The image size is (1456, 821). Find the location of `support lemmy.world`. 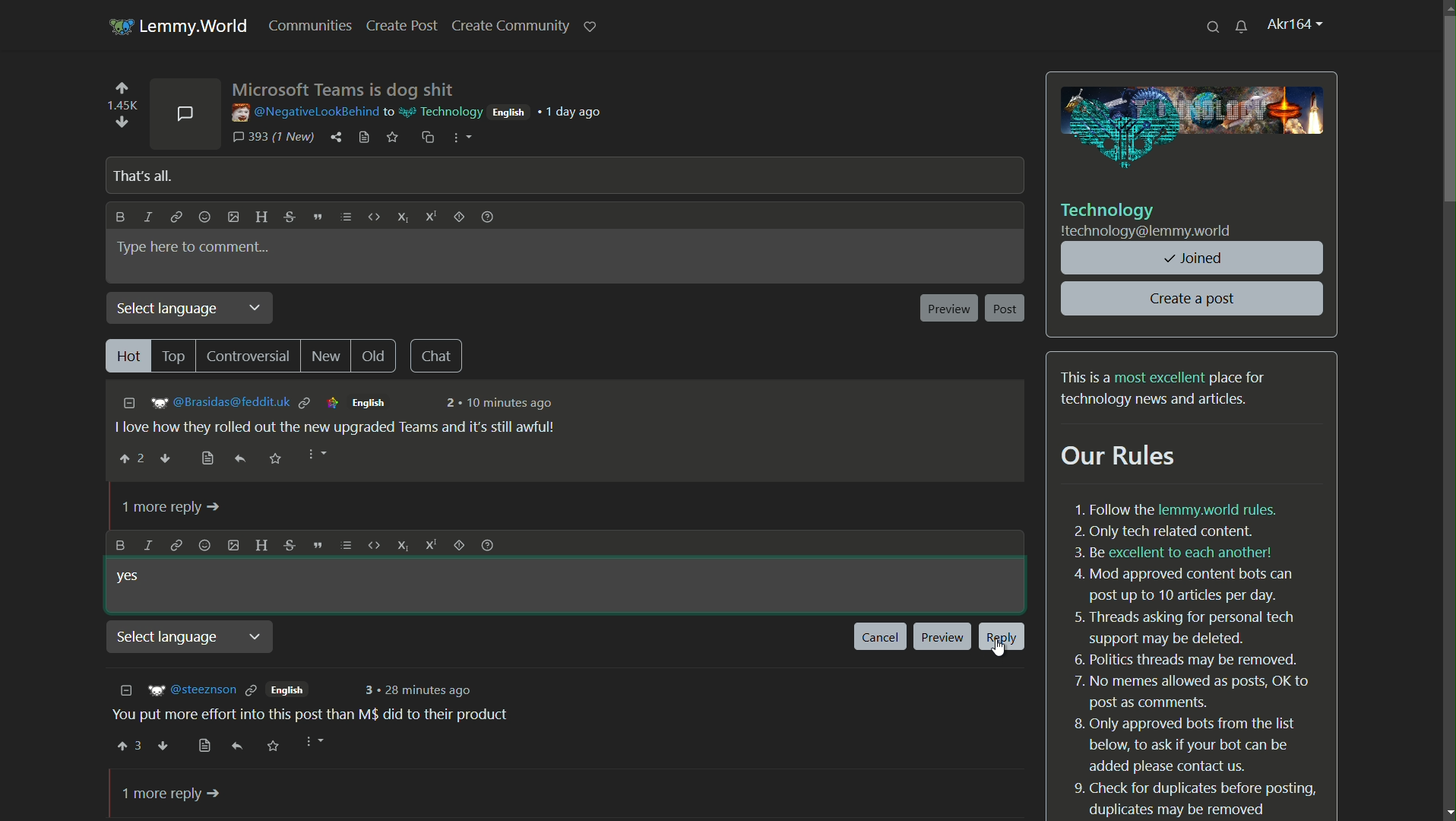

support lemmy.world is located at coordinates (590, 25).